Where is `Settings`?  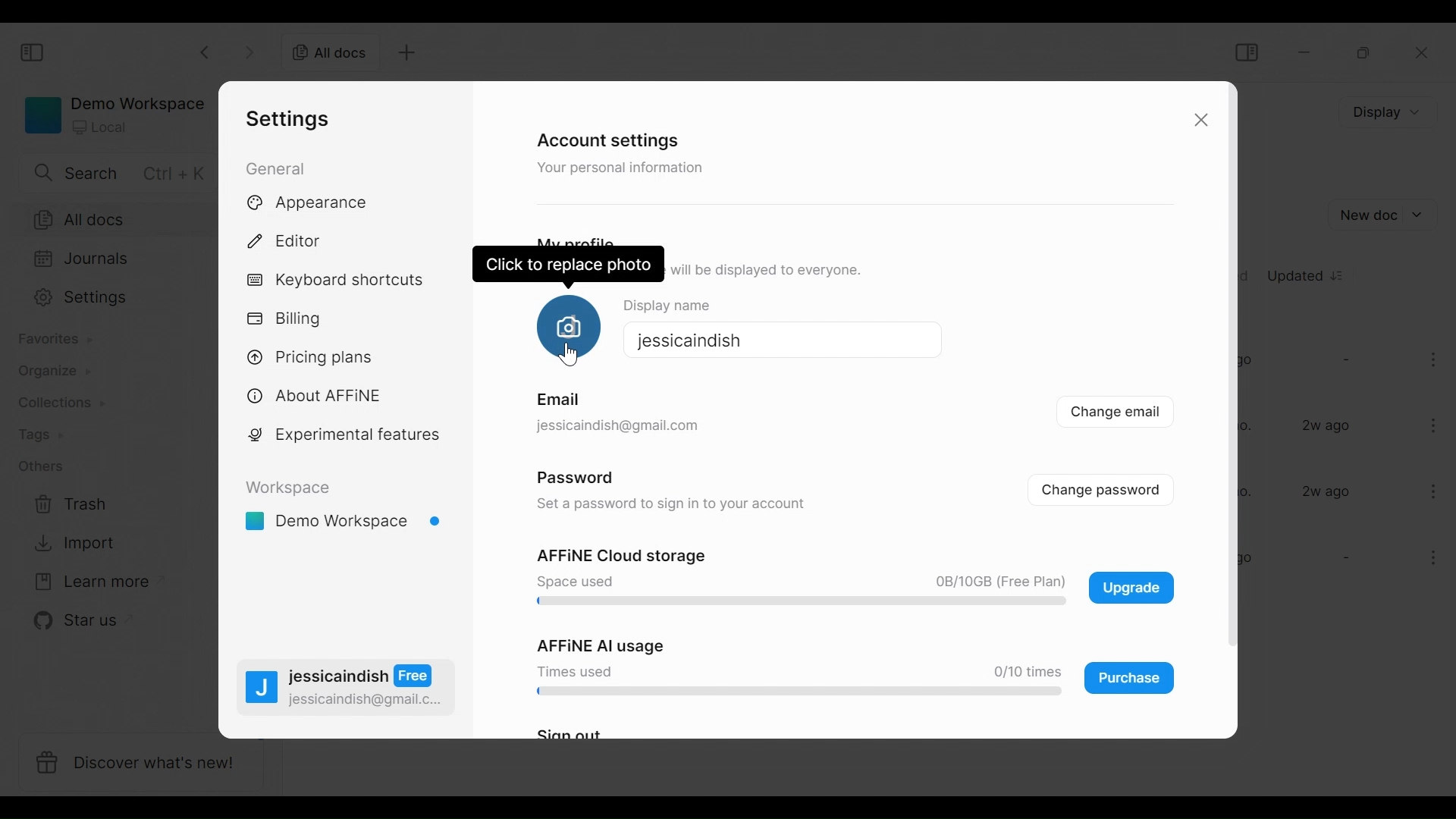
Settings is located at coordinates (286, 119).